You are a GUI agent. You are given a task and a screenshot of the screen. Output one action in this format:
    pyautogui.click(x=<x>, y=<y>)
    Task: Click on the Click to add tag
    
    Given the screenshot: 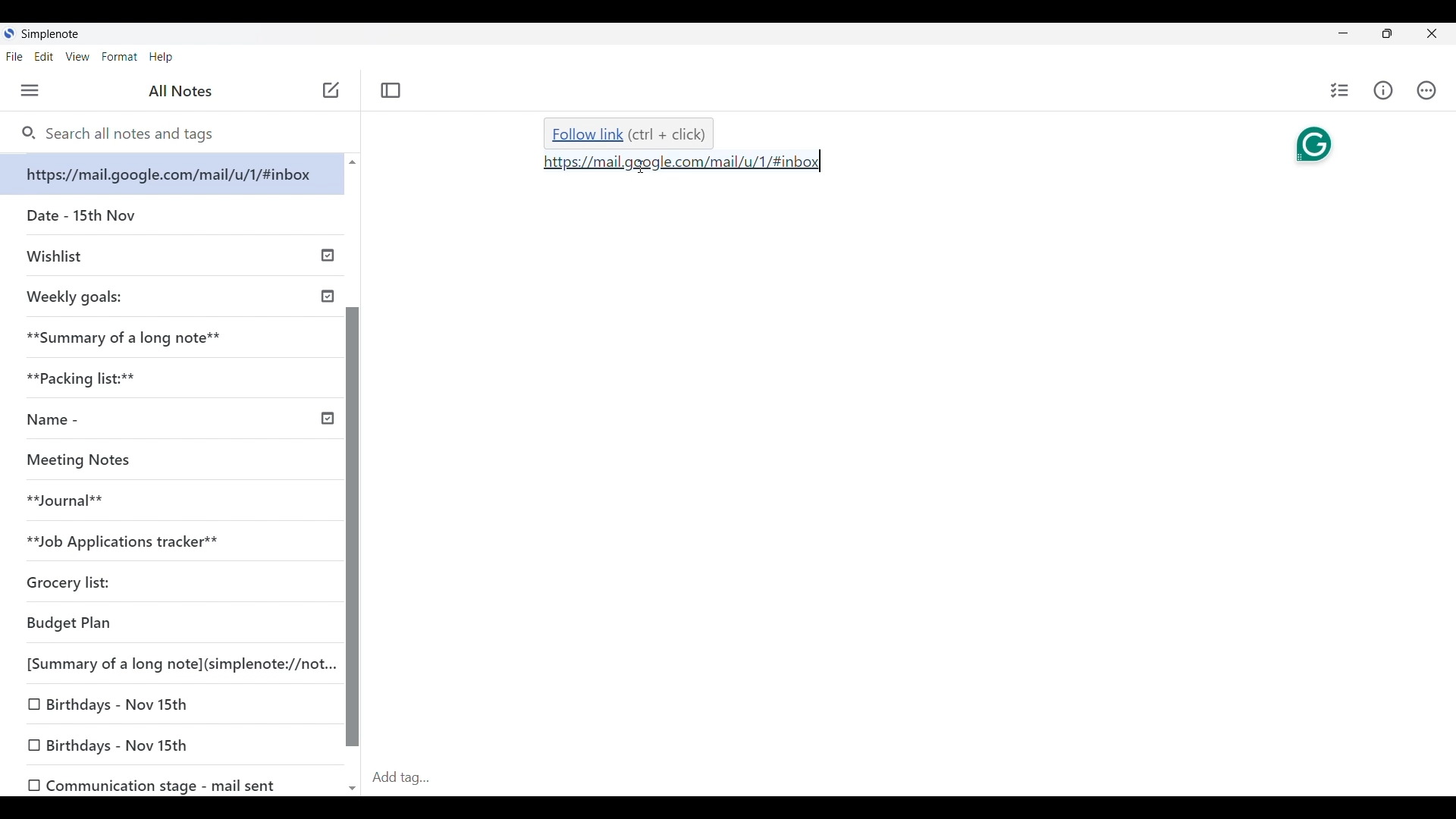 What is the action you would take?
    pyautogui.click(x=911, y=778)
    